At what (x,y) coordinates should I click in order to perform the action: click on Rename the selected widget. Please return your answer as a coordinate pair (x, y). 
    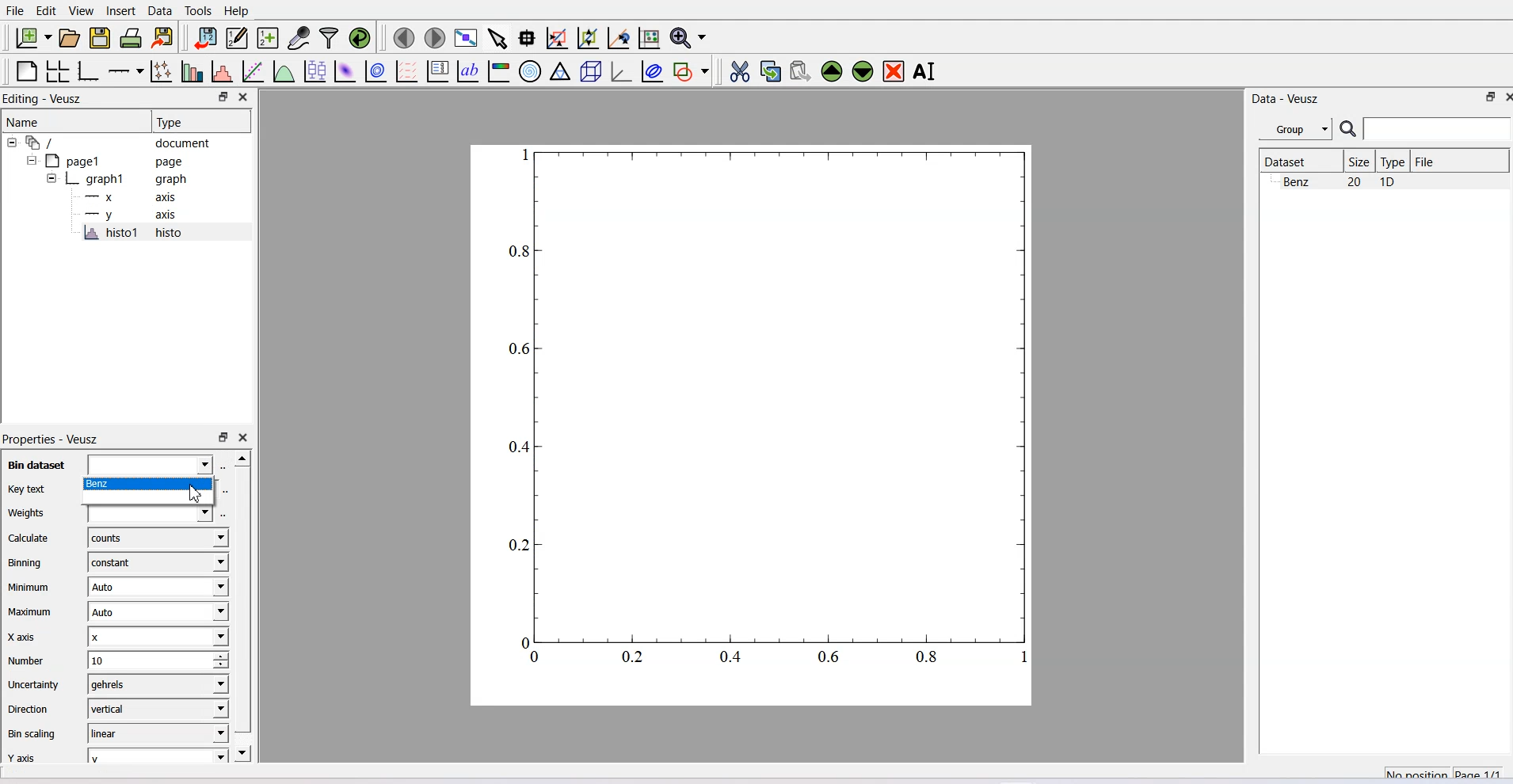
    Looking at the image, I should click on (925, 71).